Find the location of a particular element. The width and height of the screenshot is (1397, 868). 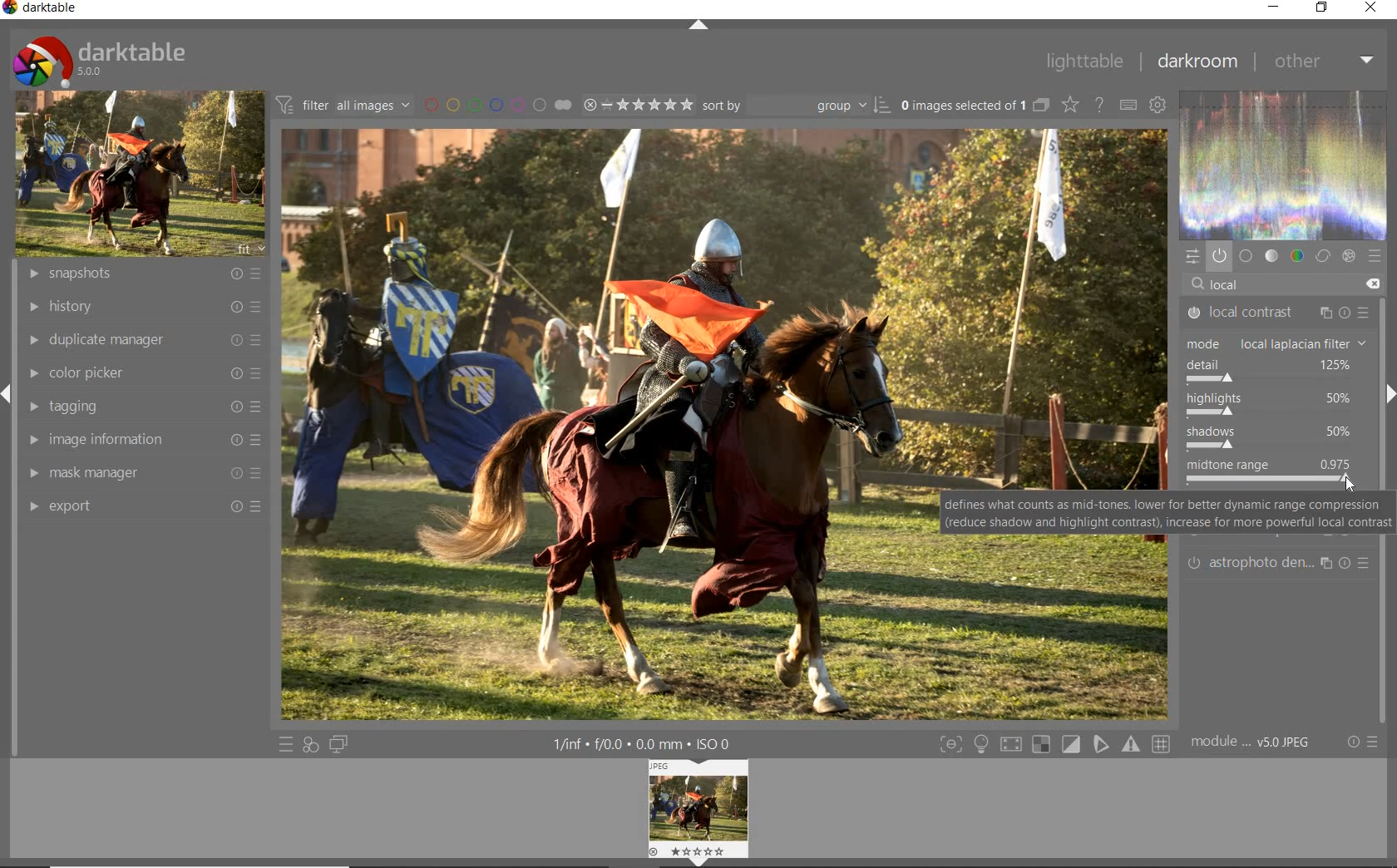

DETAIL is located at coordinates (1277, 371).